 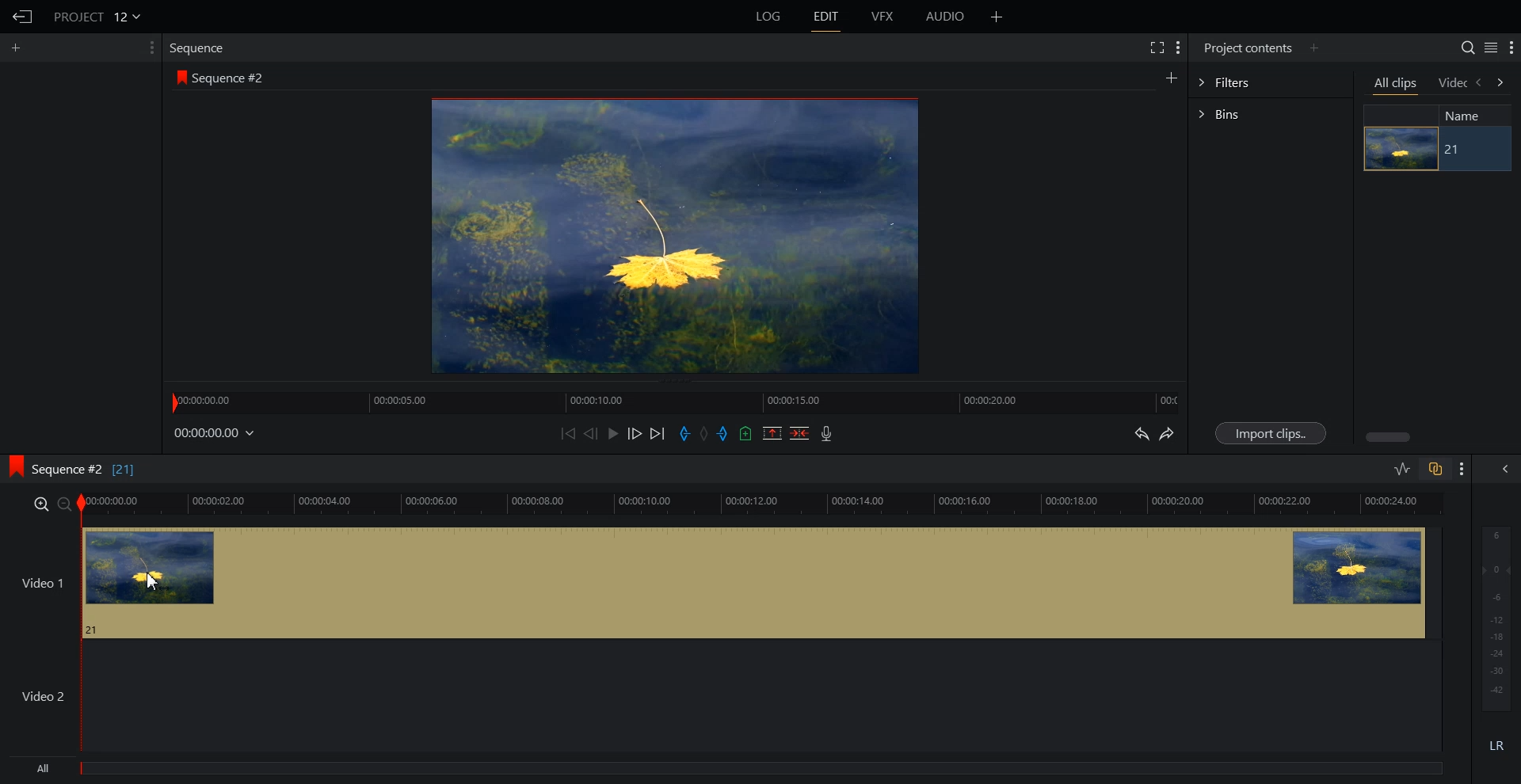 I want to click on Show All audio menu, so click(x=1504, y=469).